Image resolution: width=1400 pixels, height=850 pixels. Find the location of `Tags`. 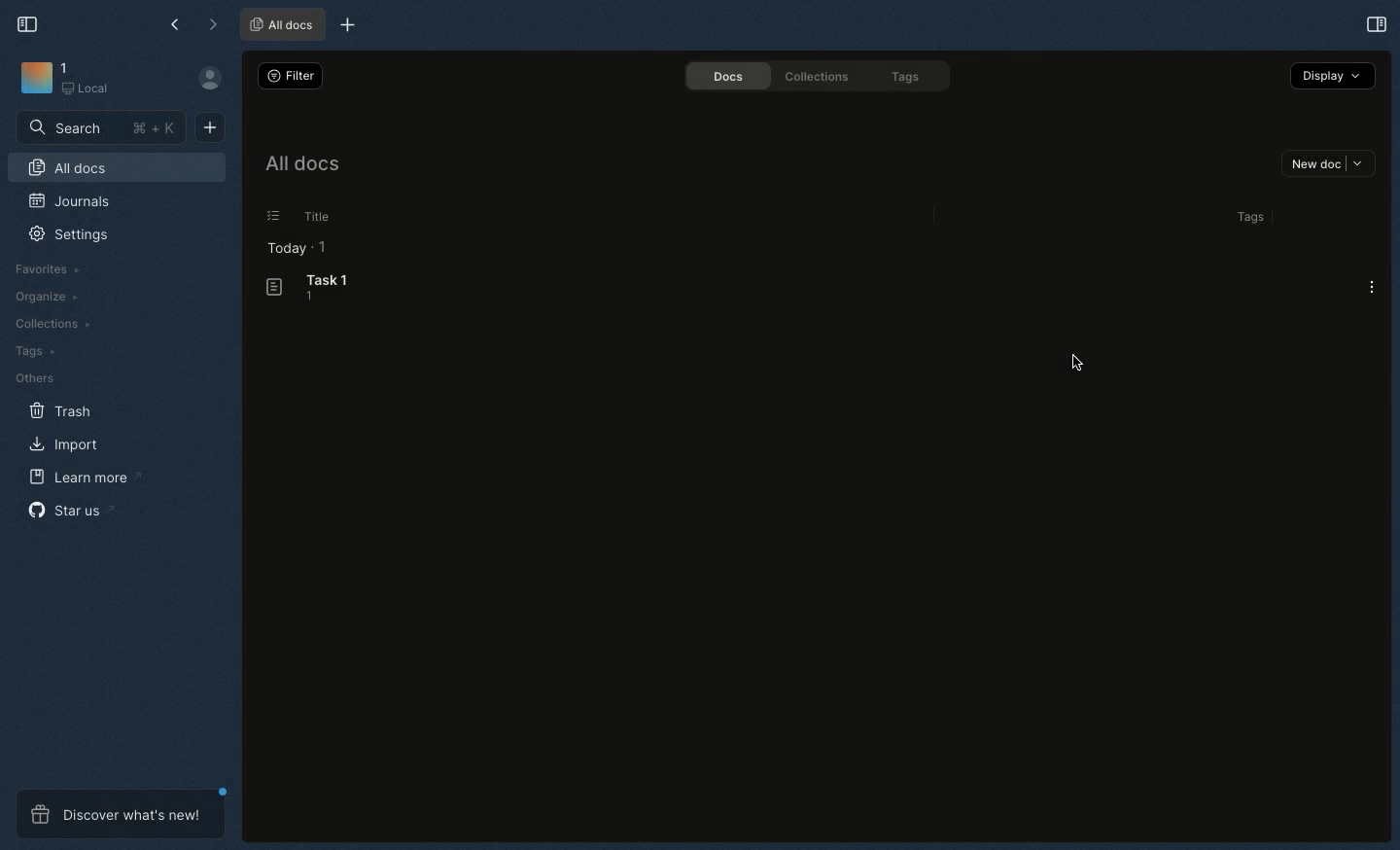

Tags is located at coordinates (912, 78).